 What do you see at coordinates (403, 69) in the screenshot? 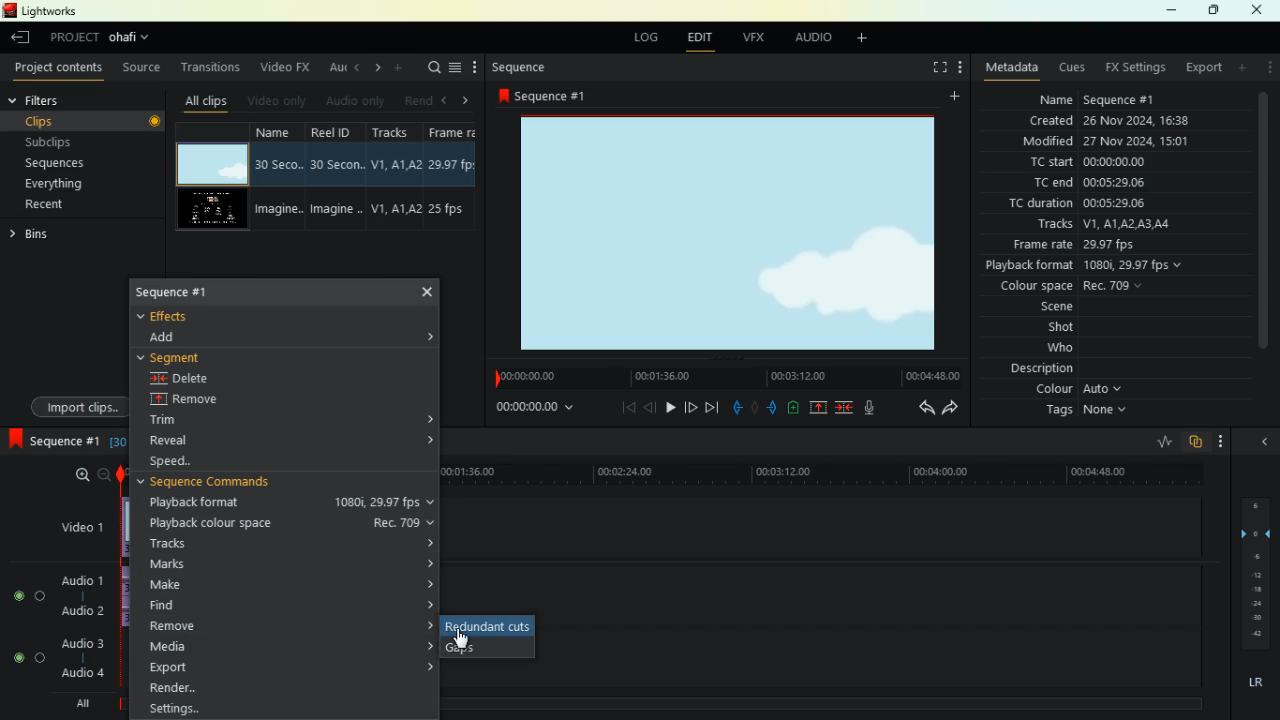
I see `more` at bounding box center [403, 69].